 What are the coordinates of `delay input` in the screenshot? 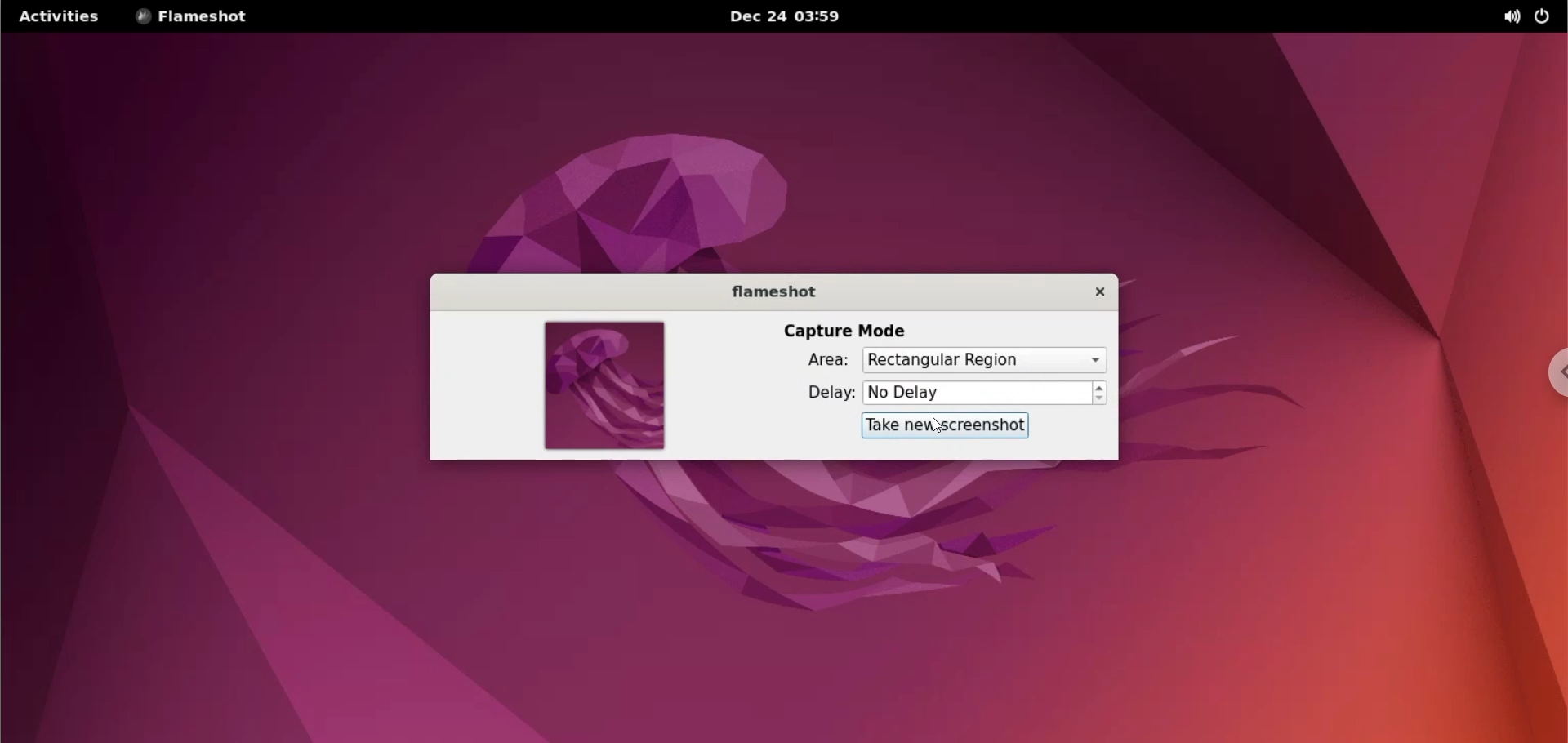 It's located at (978, 394).